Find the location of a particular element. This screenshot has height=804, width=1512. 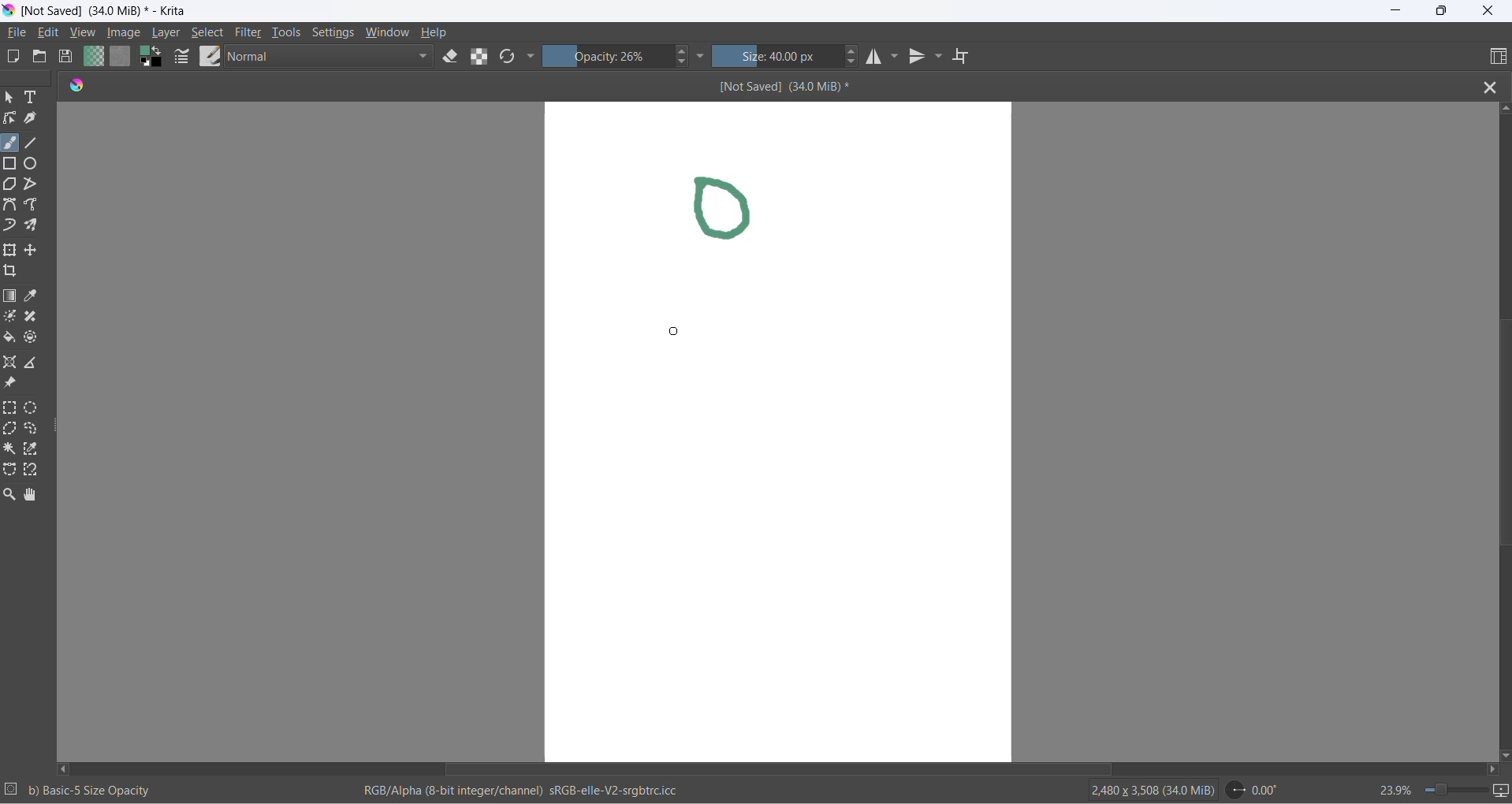

cursor is located at coordinates (674, 332).